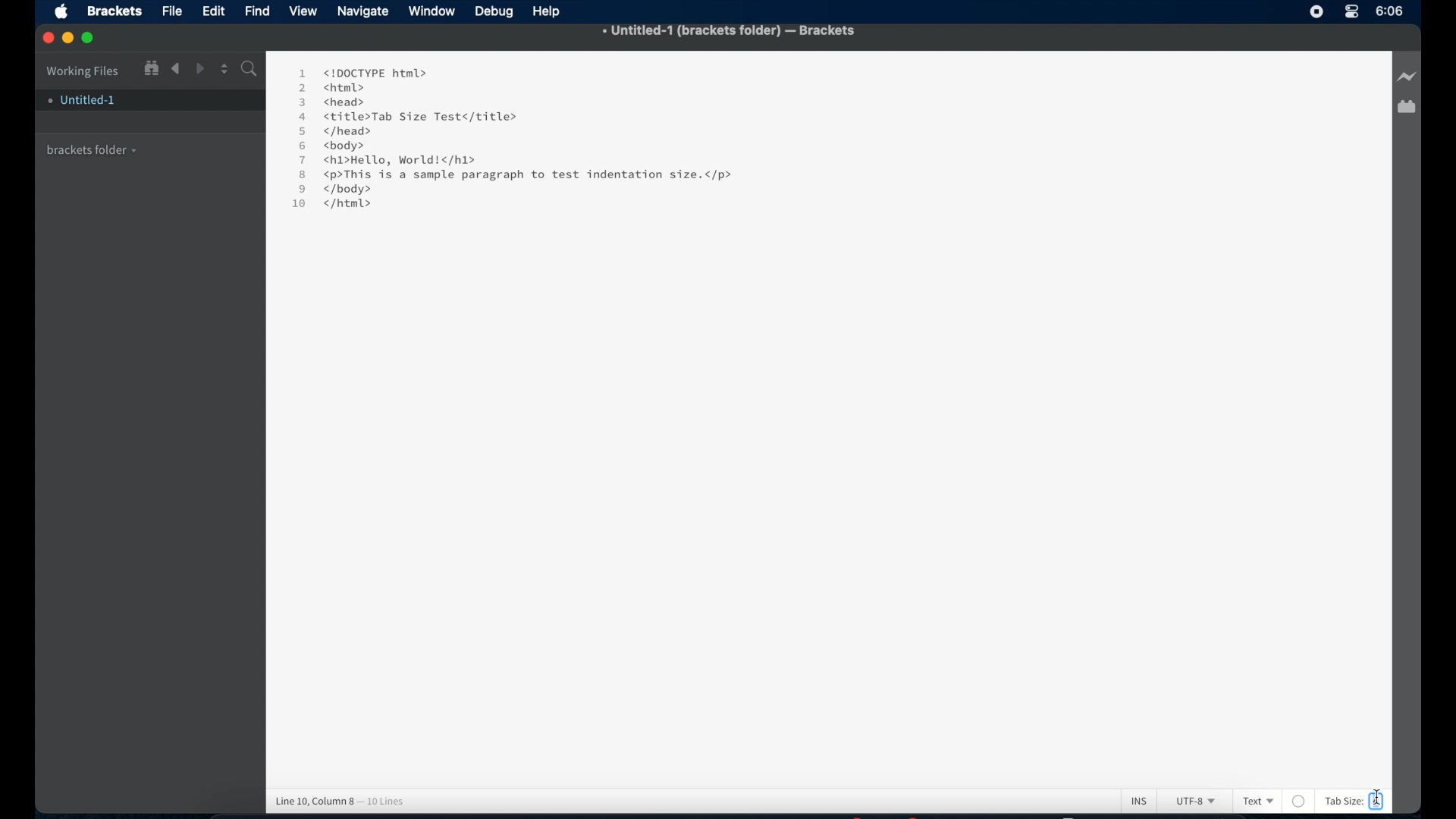 Image resolution: width=1456 pixels, height=819 pixels. I want to click on . Untitled-1, so click(80, 100).